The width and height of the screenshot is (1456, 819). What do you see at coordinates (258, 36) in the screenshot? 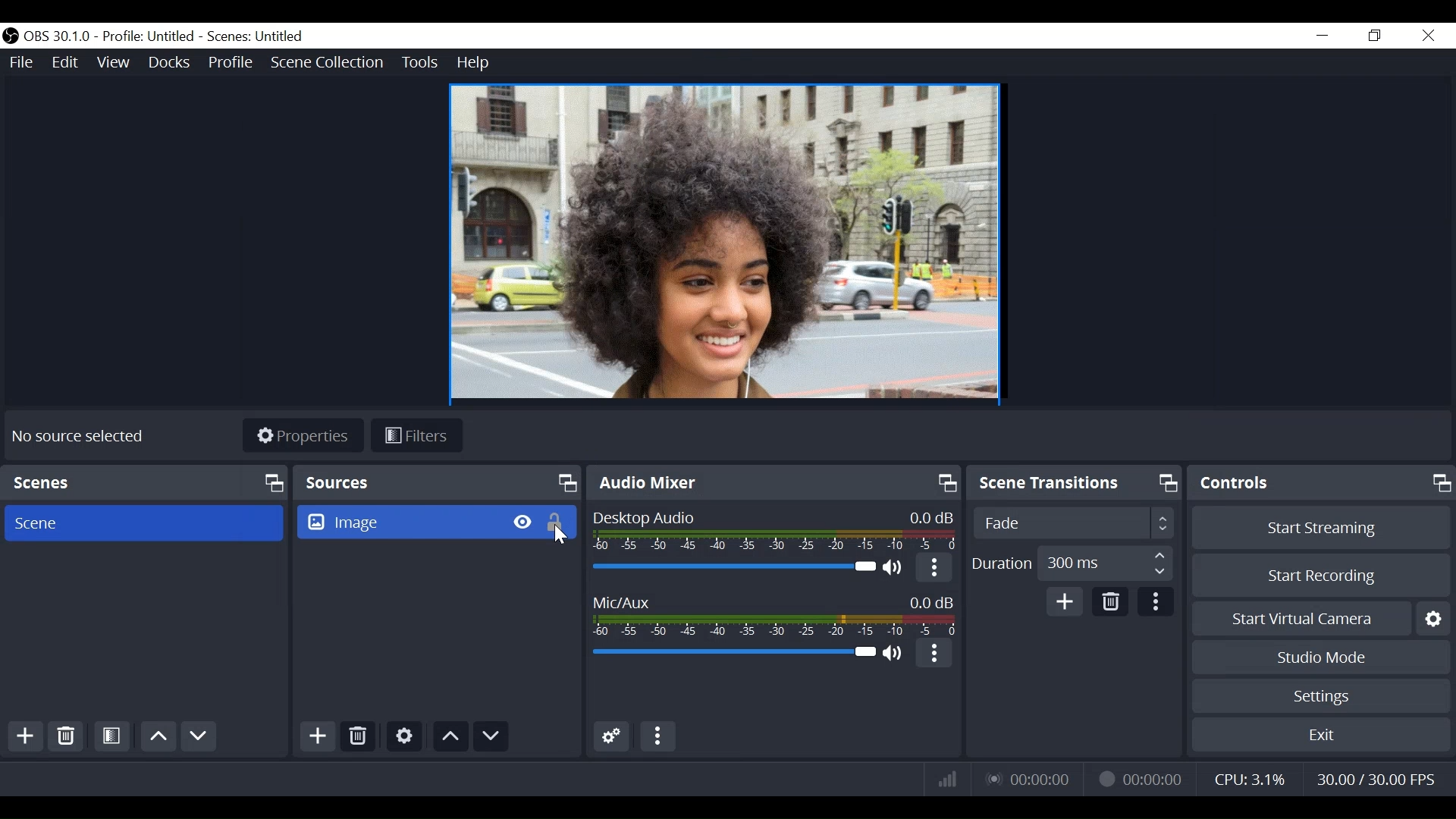
I see `Scenes: Untitled` at bounding box center [258, 36].